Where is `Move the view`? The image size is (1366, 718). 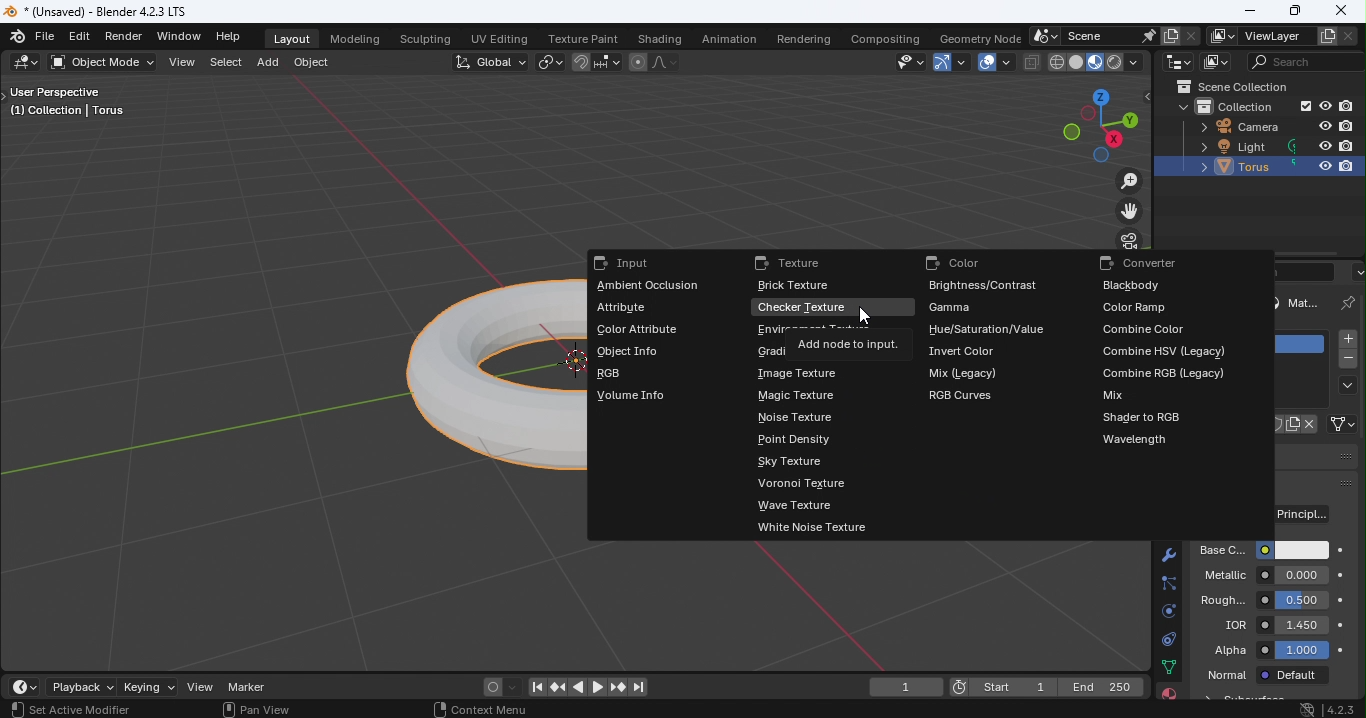 Move the view is located at coordinates (1128, 210).